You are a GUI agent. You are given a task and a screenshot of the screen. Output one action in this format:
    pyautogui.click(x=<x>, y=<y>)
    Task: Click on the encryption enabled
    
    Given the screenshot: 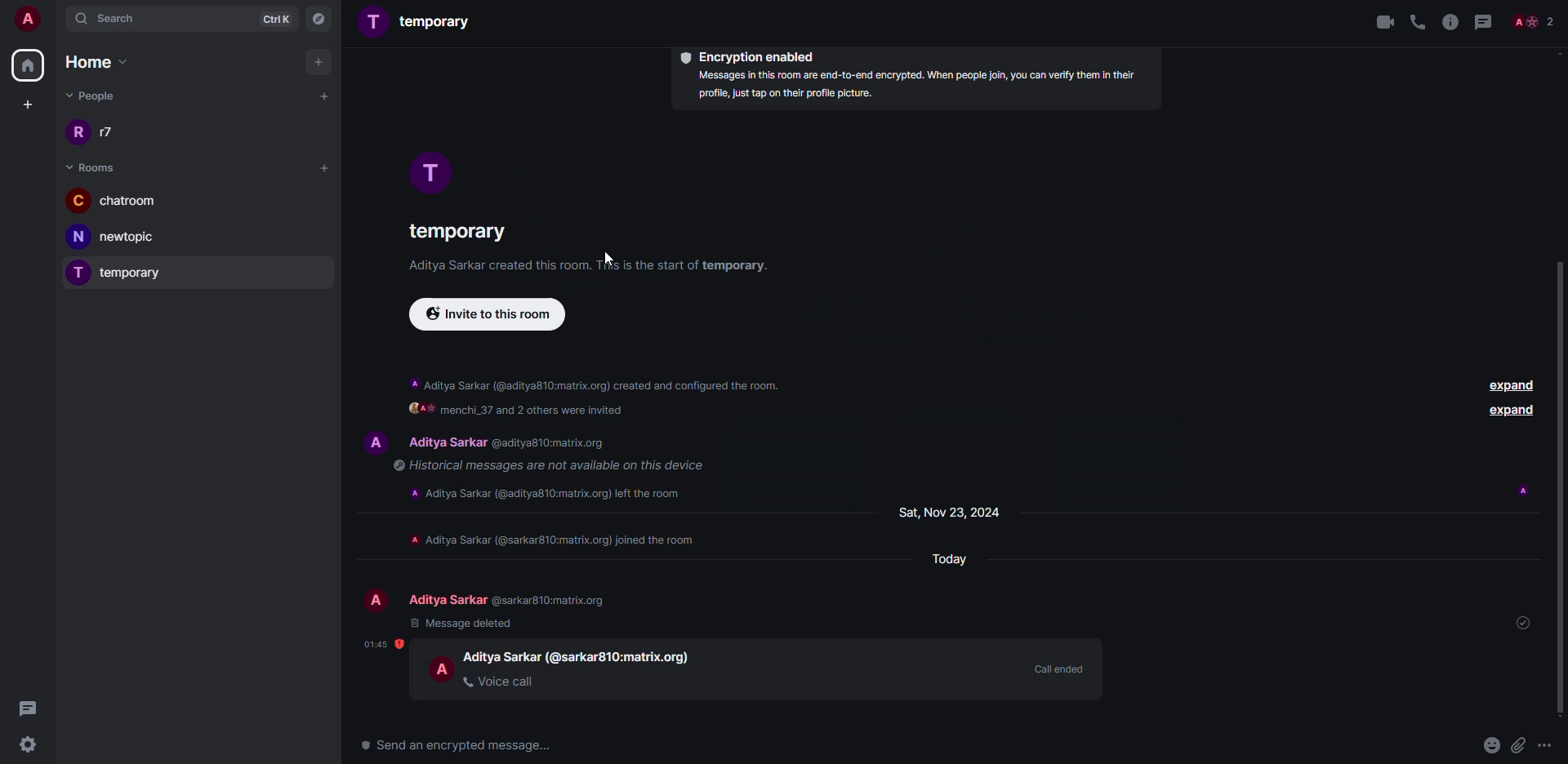 What is the action you would take?
    pyautogui.click(x=748, y=56)
    